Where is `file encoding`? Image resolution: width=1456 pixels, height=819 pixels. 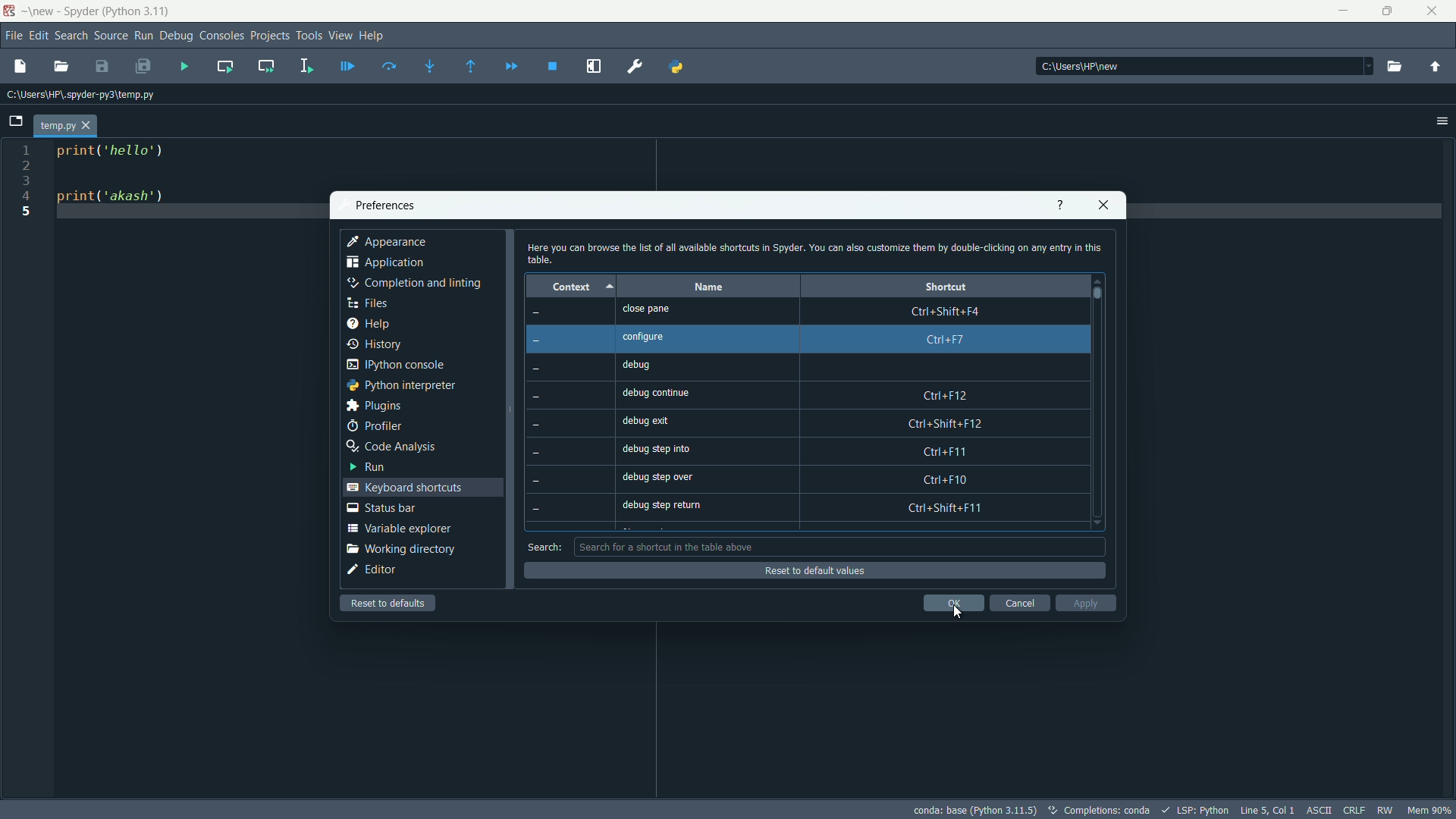
file encoding is located at coordinates (1320, 810).